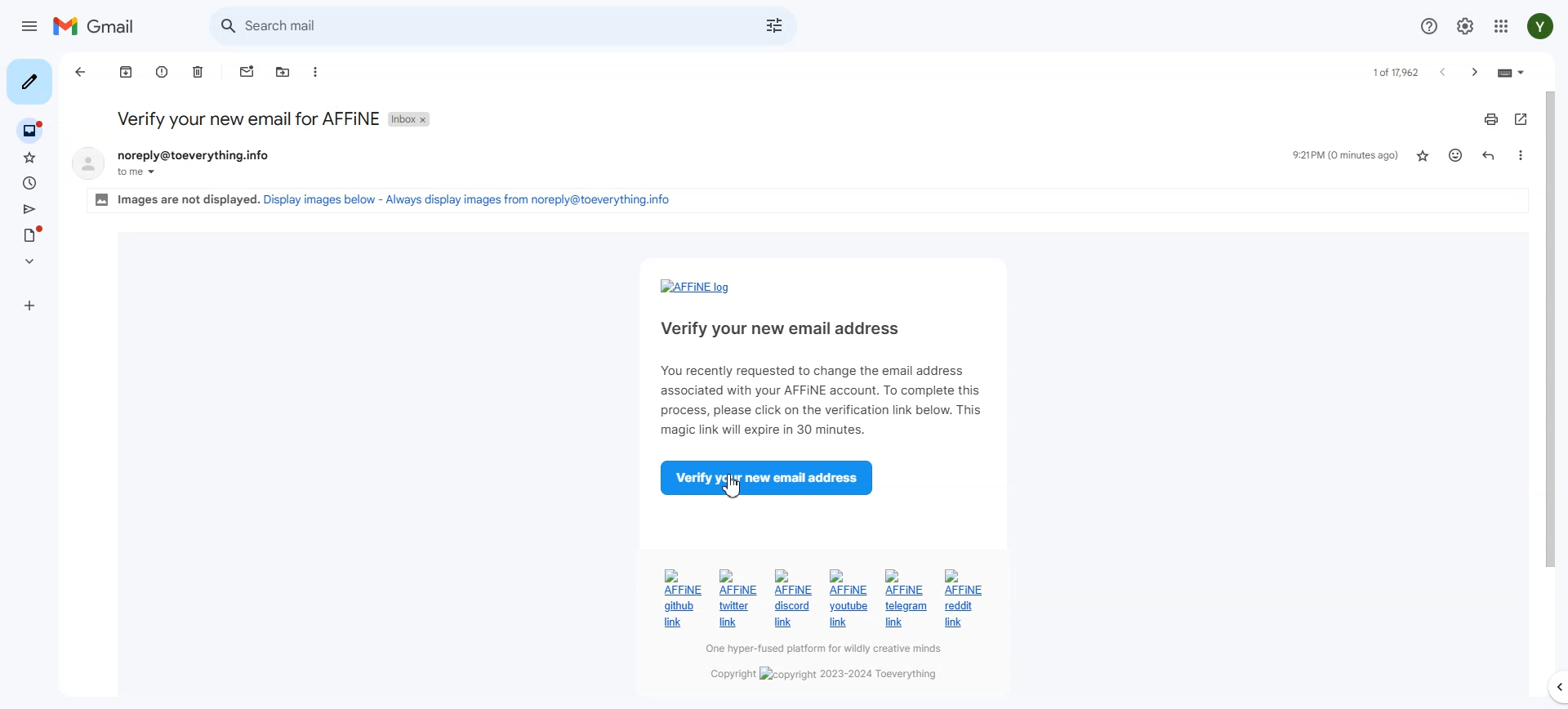 This screenshot has width=1568, height=709. Describe the element at coordinates (1499, 73) in the screenshot. I see `input tools on/off` at that location.